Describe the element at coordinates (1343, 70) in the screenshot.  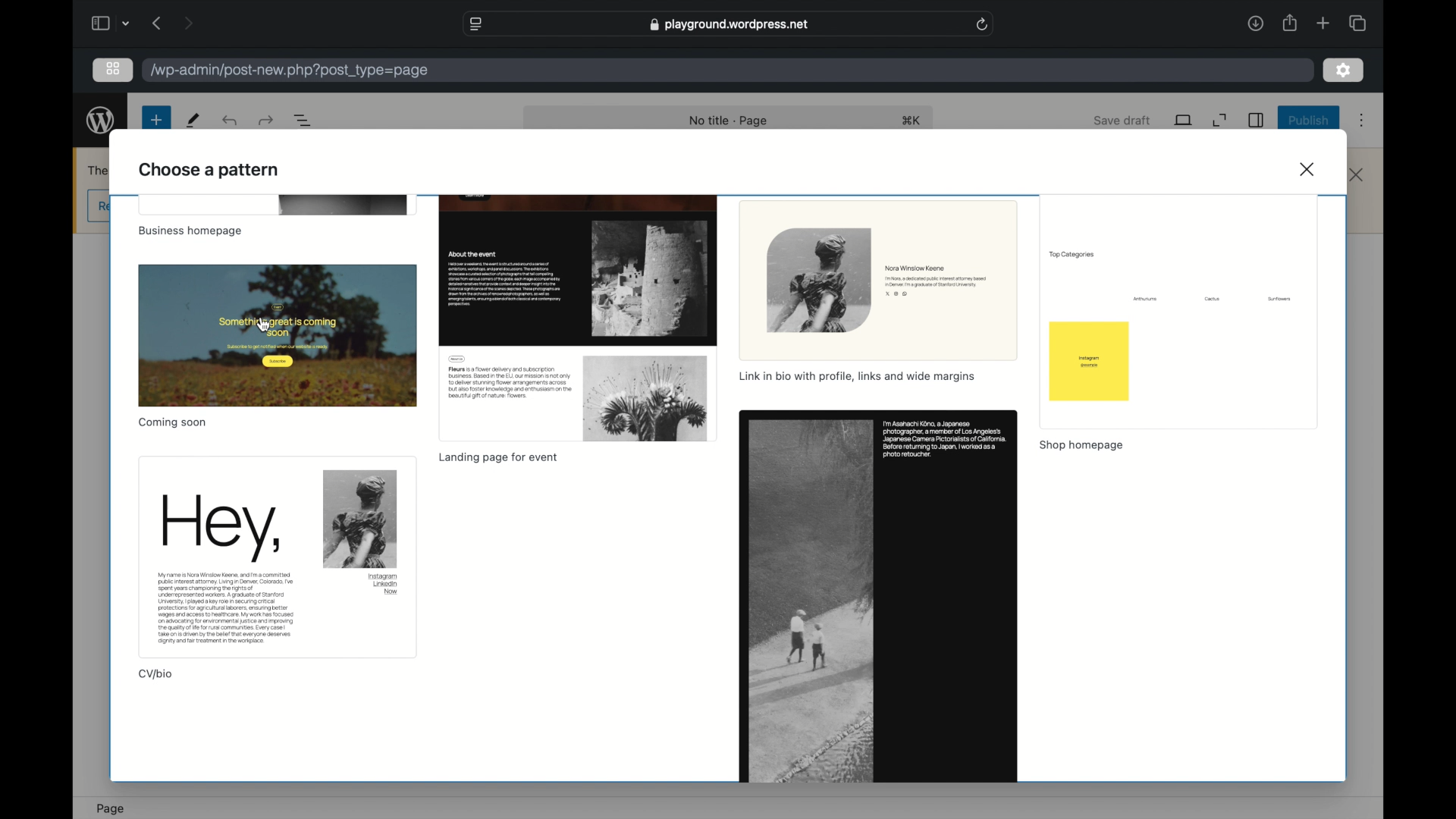
I see `settings` at that location.